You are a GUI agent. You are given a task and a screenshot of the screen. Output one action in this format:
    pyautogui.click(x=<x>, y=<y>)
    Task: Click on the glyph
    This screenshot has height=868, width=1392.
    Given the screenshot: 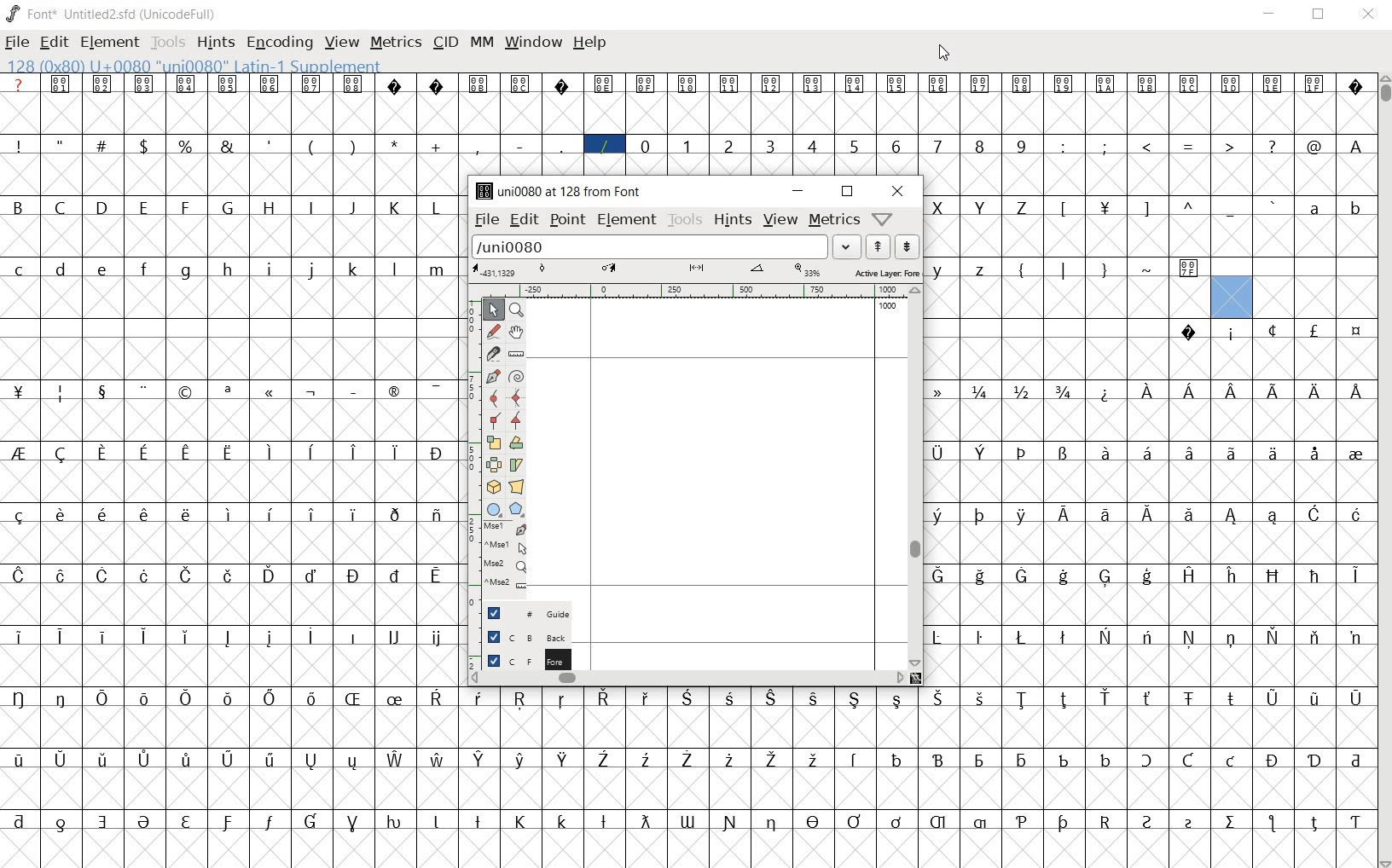 What is the action you would take?
    pyautogui.click(x=60, y=207)
    